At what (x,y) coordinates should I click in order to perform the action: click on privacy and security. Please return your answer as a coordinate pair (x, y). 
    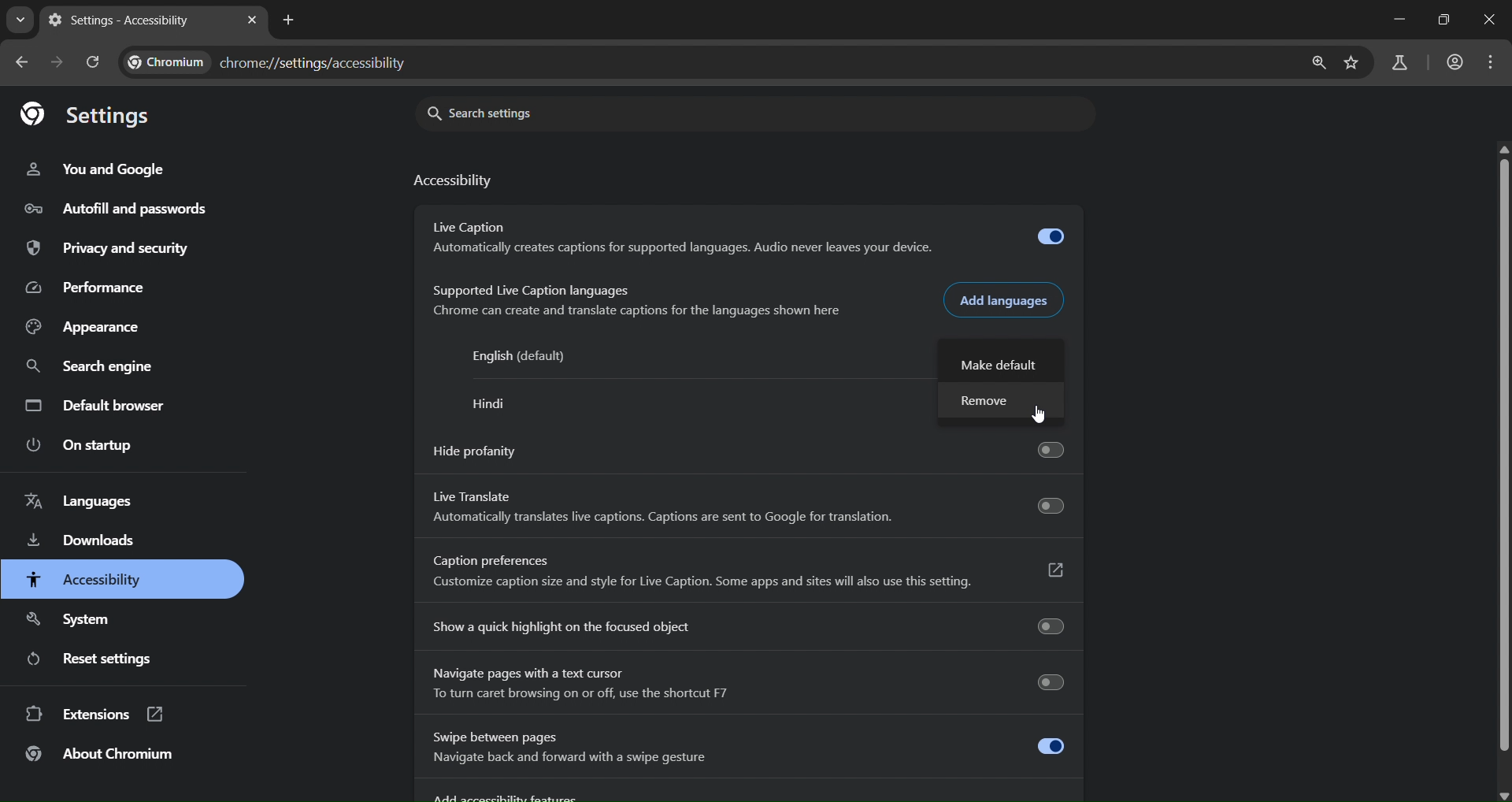
    Looking at the image, I should click on (110, 249).